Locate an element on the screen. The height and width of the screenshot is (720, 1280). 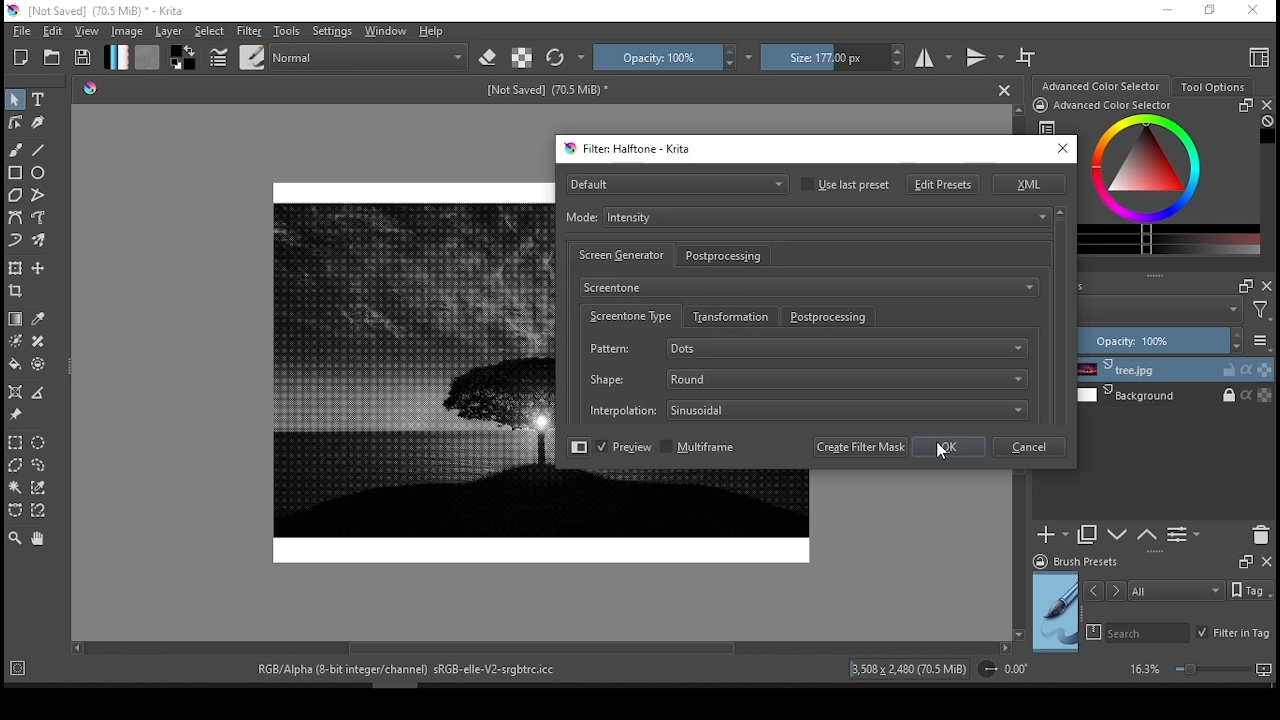
window name is located at coordinates (630, 149).